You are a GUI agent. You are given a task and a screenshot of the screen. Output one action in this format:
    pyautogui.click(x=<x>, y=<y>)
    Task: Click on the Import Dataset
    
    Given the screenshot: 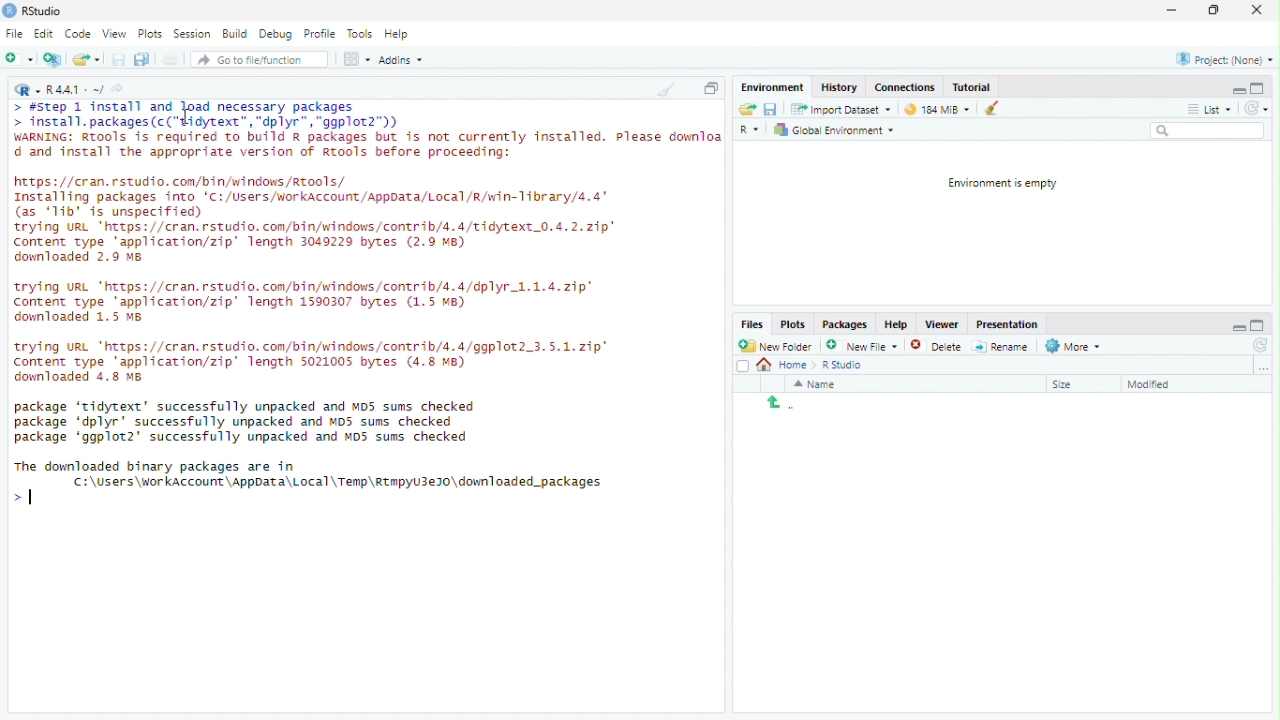 What is the action you would take?
    pyautogui.click(x=844, y=110)
    